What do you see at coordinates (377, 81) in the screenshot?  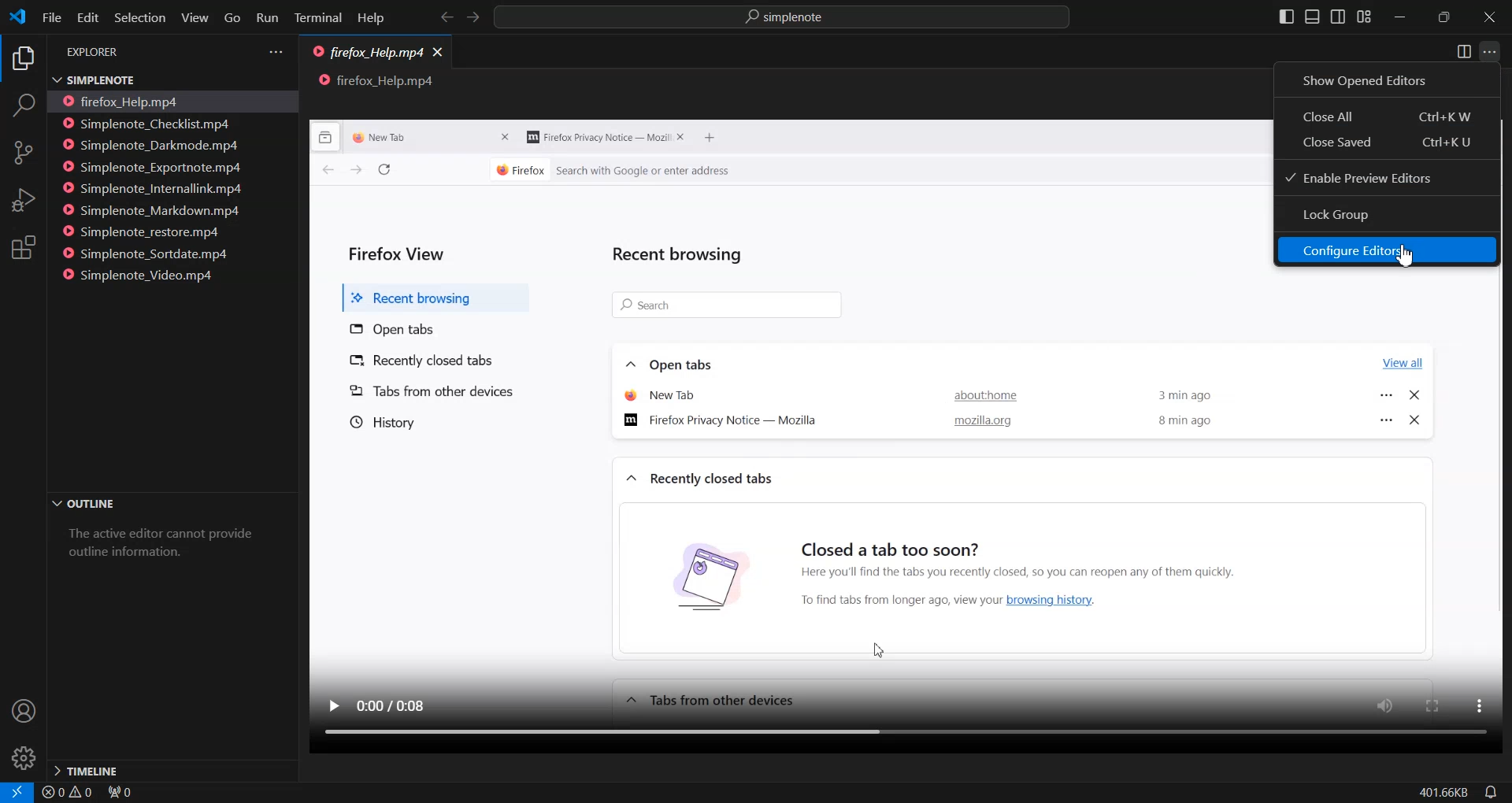 I see `firefox_Help.mp4` at bounding box center [377, 81].